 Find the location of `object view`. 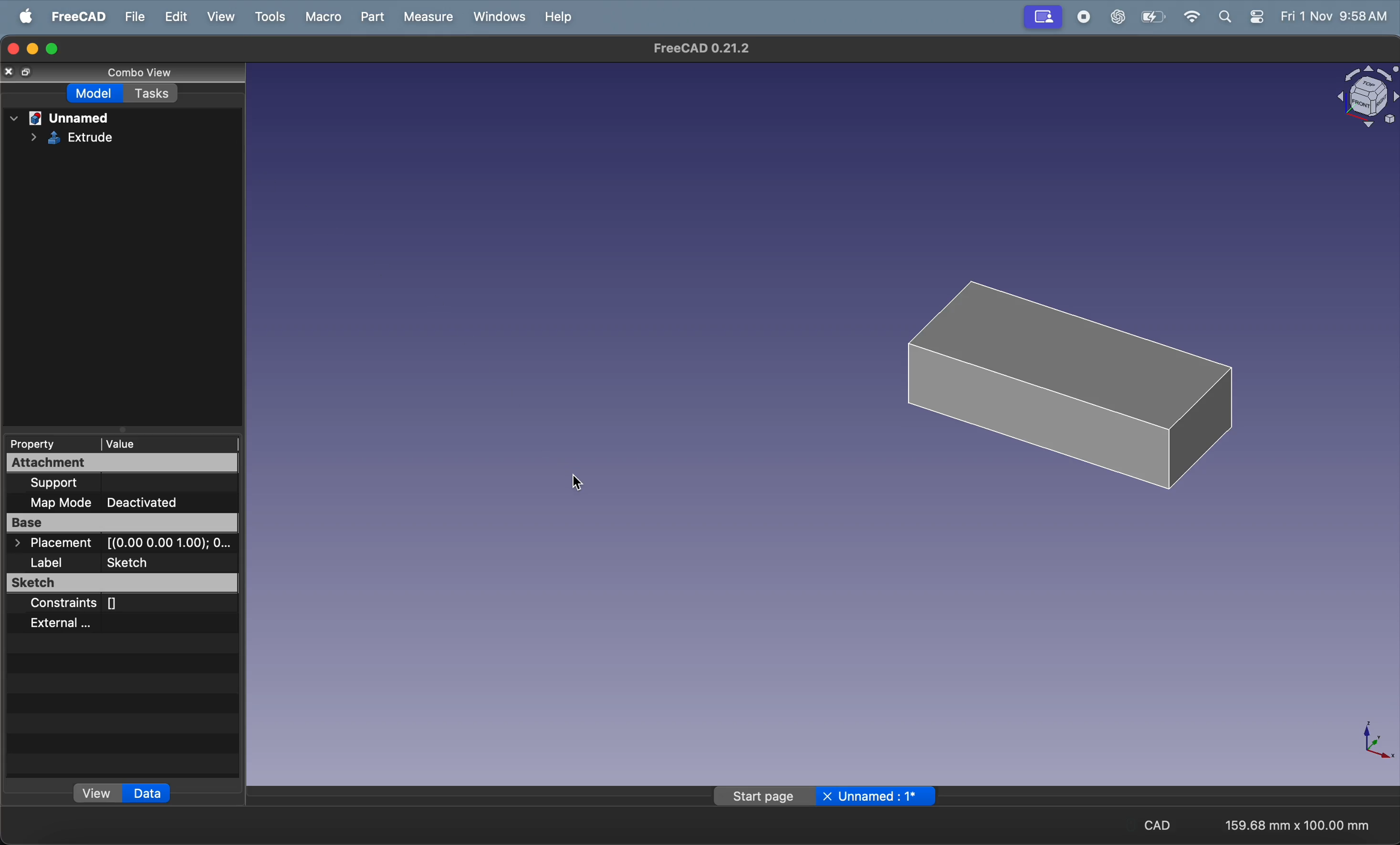

object view is located at coordinates (1357, 97).